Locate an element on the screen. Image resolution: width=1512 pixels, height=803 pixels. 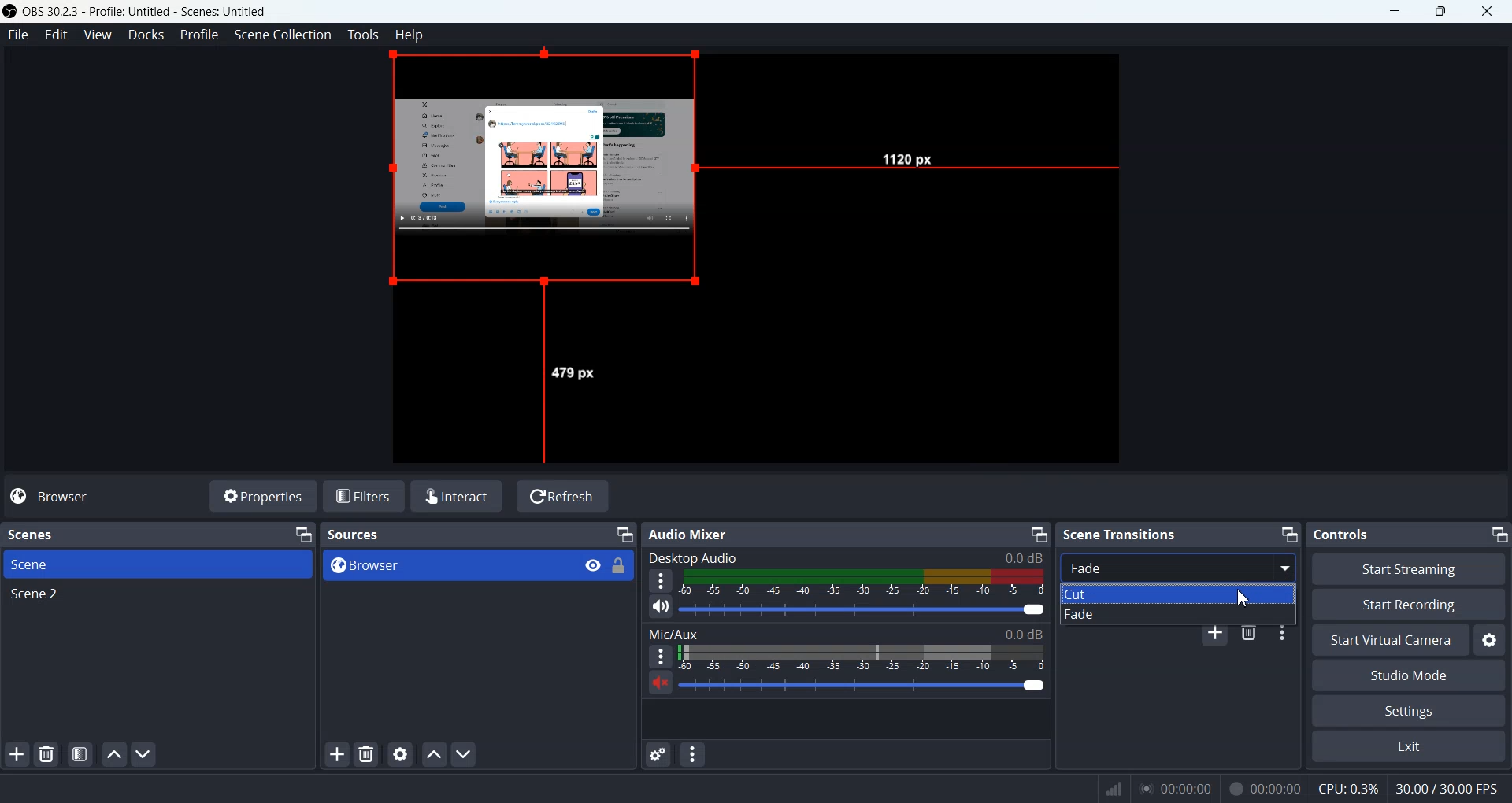
Volume Indicator is located at coordinates (865, 583).